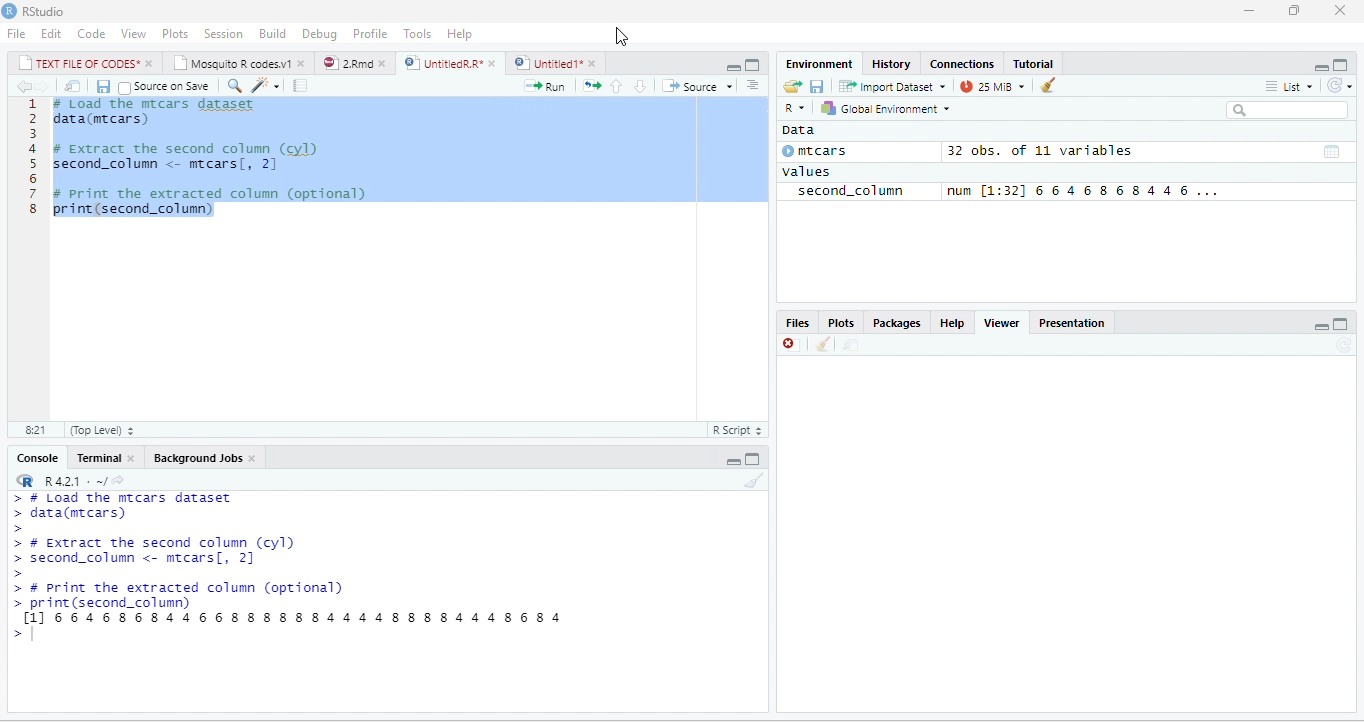 This screenshot has width=1364, height=722. I want to click on 6, so click(33, 178).